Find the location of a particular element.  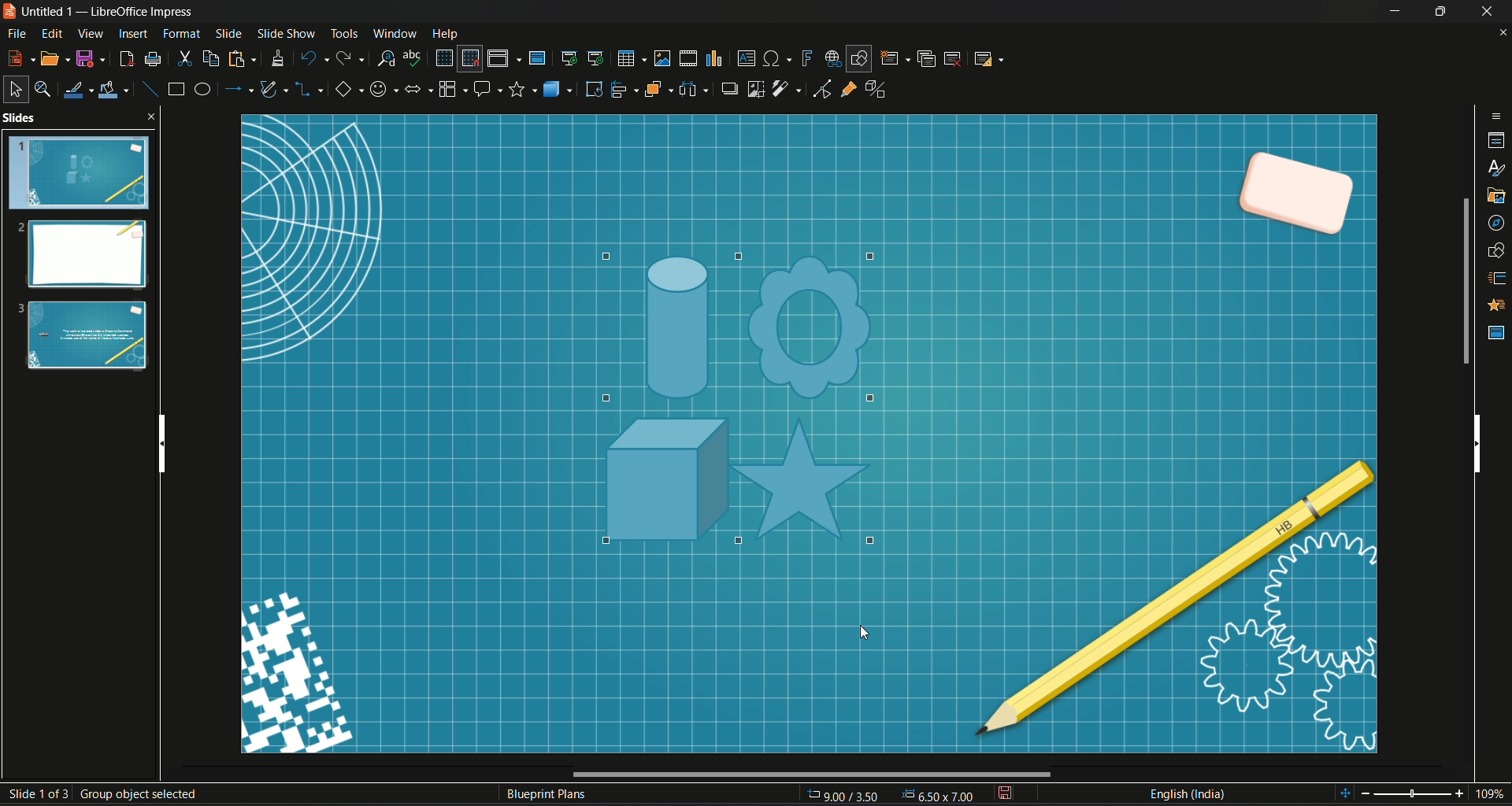

new is located at coordinates (20, 57).